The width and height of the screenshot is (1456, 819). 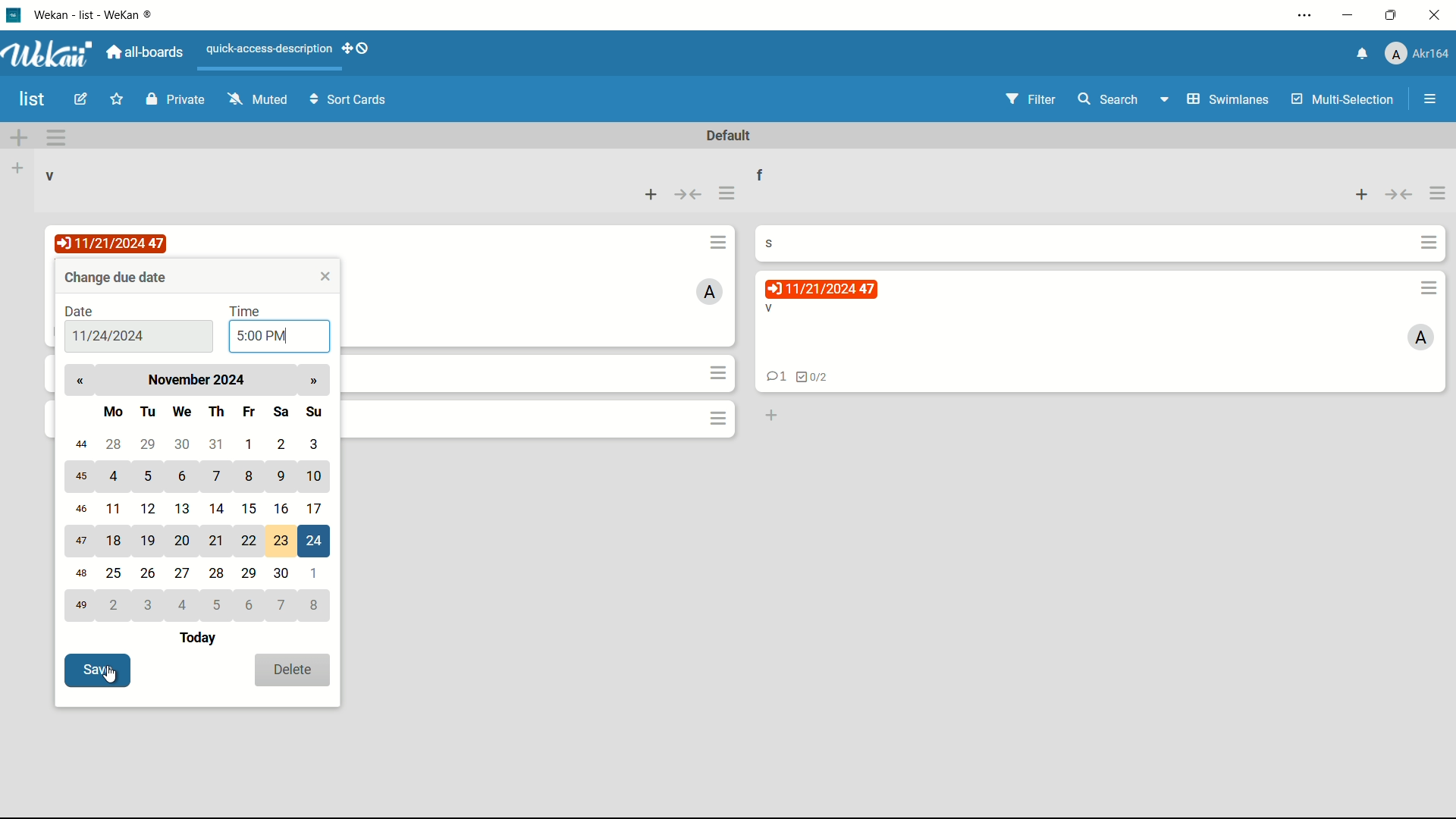 What do you see at coordinates (149, 444) in the screenshot?
I see `29` at bounding box center [149, 444].